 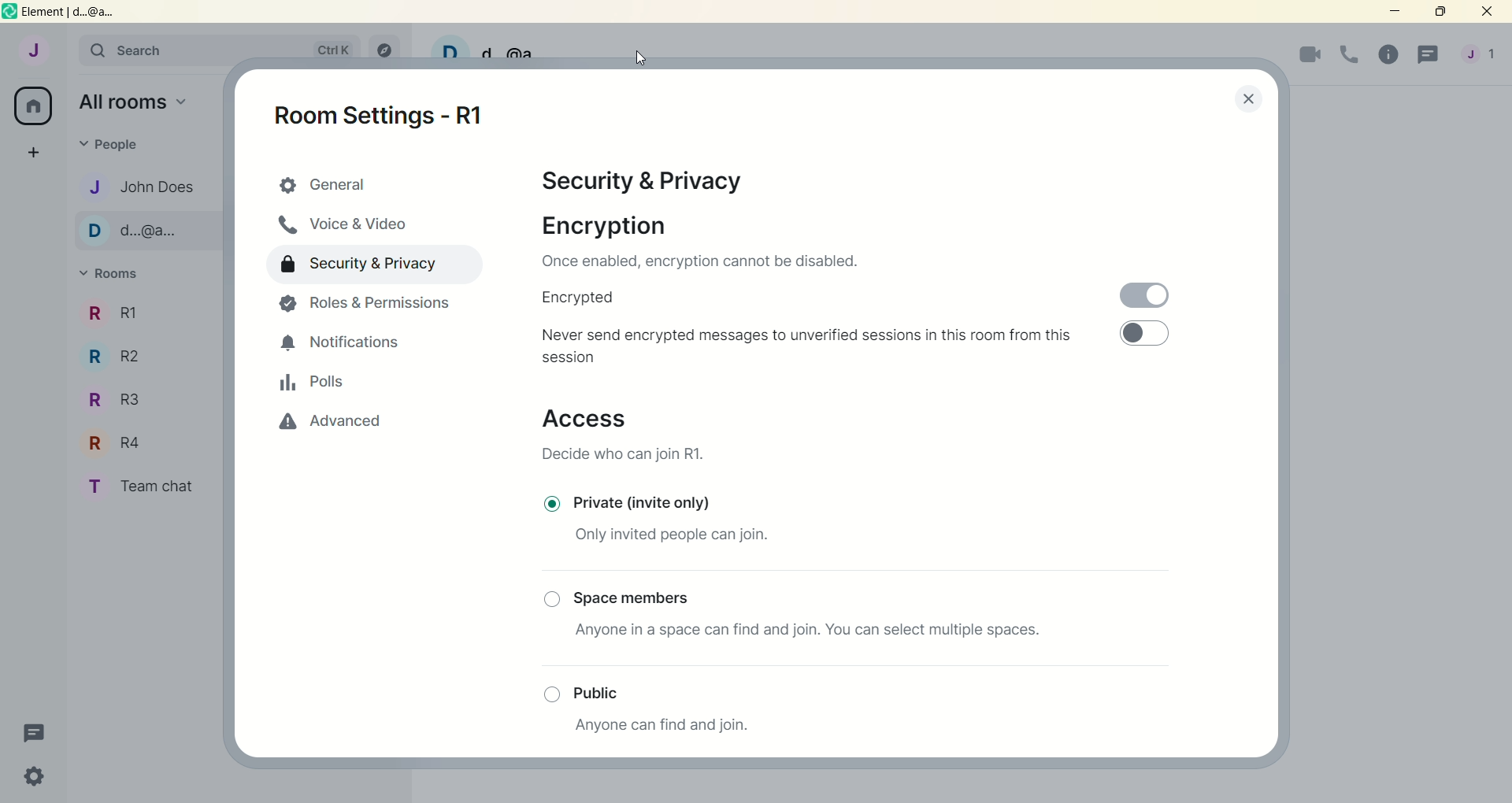 I want to click on video call, so click(x=1311, y=57).